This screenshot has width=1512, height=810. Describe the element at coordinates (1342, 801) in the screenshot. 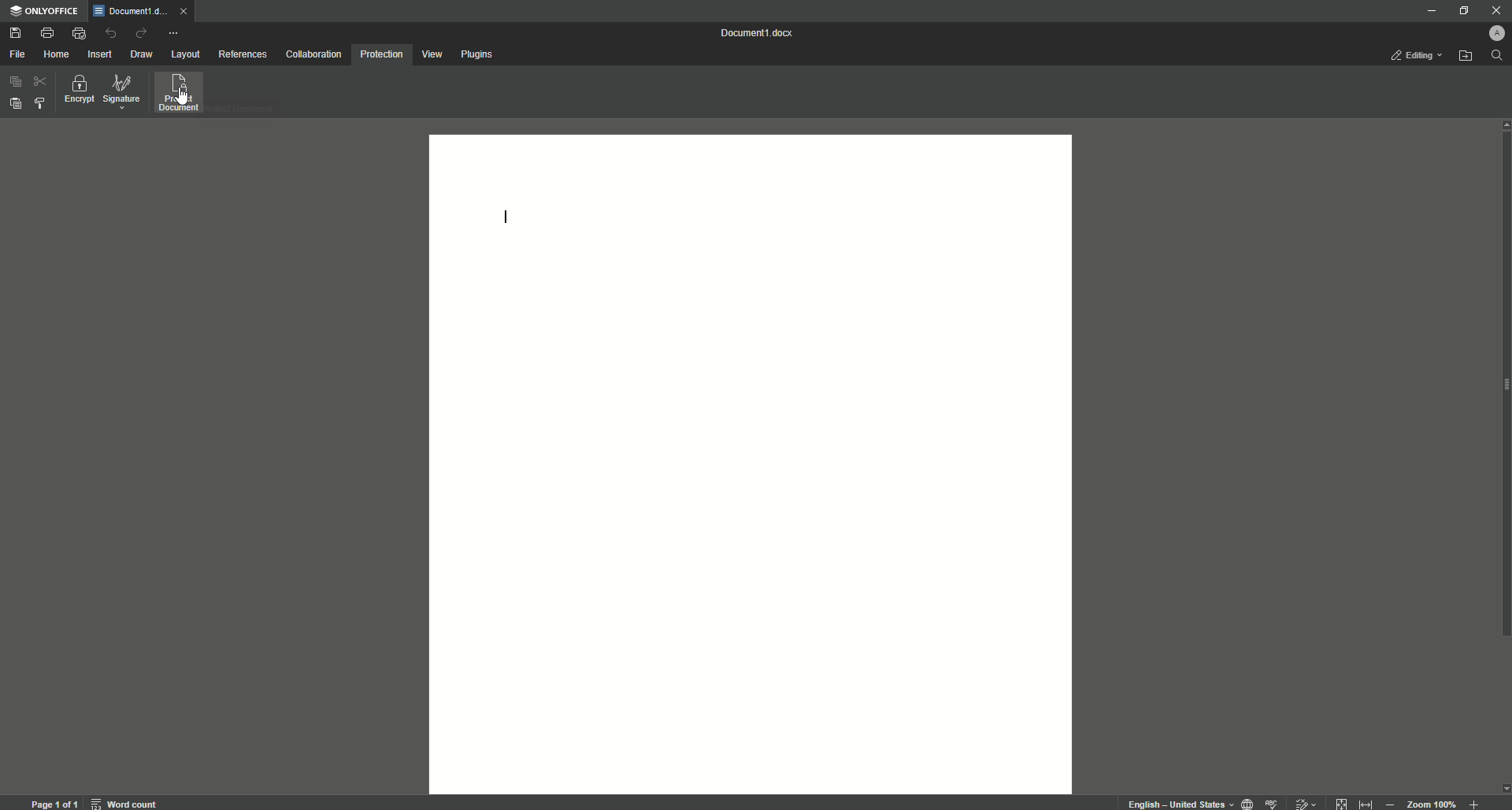

I see `fit to page` at that location.